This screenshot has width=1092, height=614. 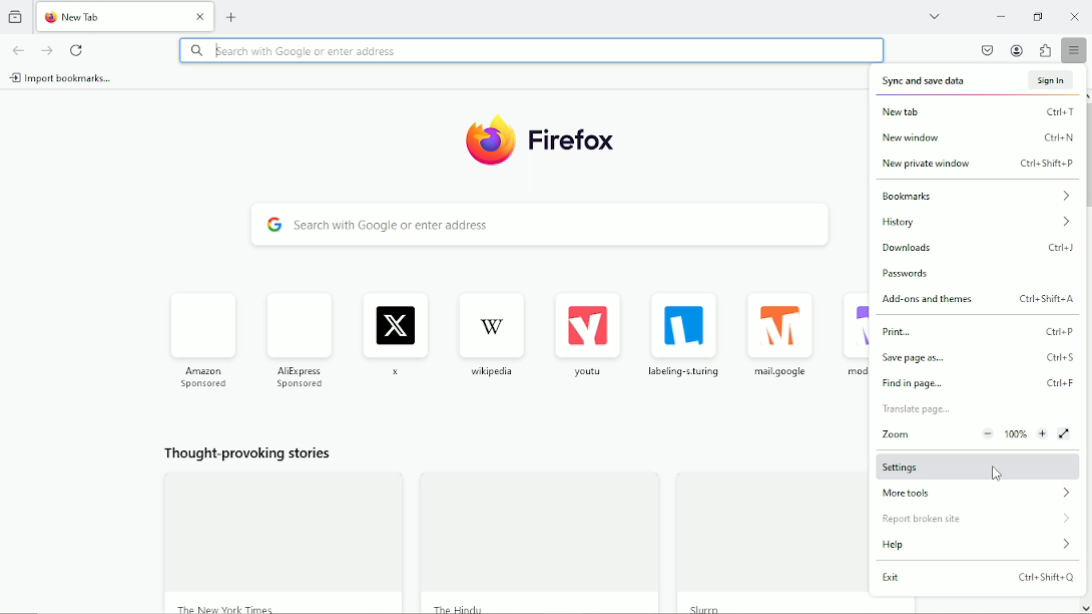 I want to click on Translate page, so click(x=918, y=410).